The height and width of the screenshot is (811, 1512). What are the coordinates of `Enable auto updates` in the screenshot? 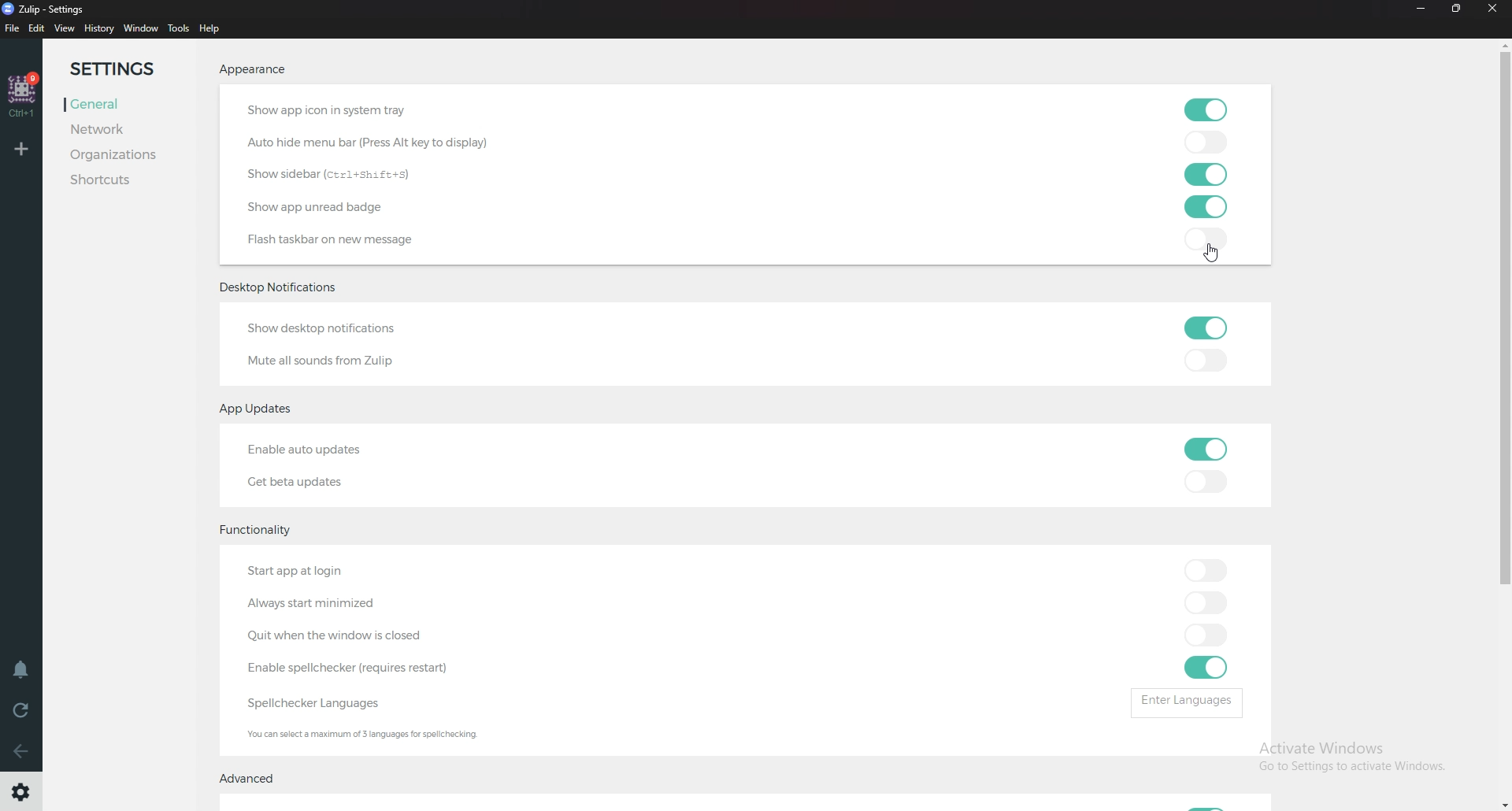 It's located at (325, 450).